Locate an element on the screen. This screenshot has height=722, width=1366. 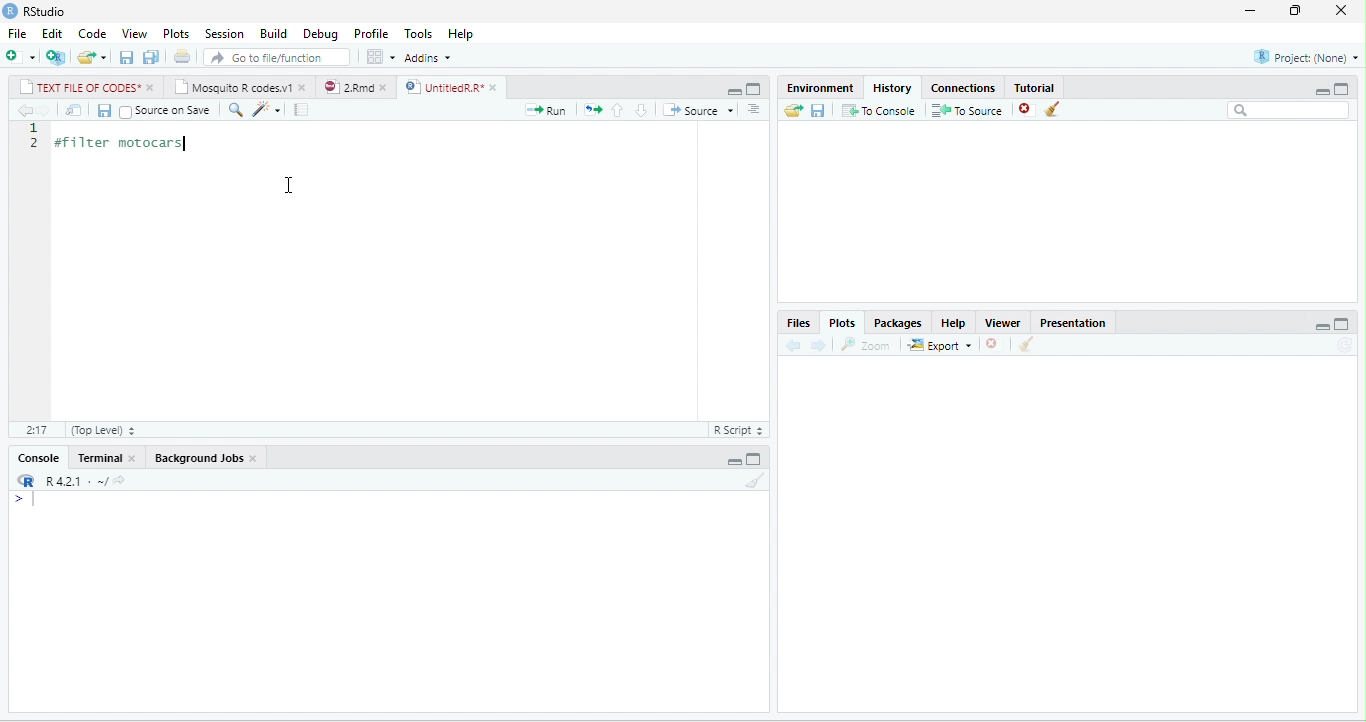
maximize is located at coordinates (753, 460).